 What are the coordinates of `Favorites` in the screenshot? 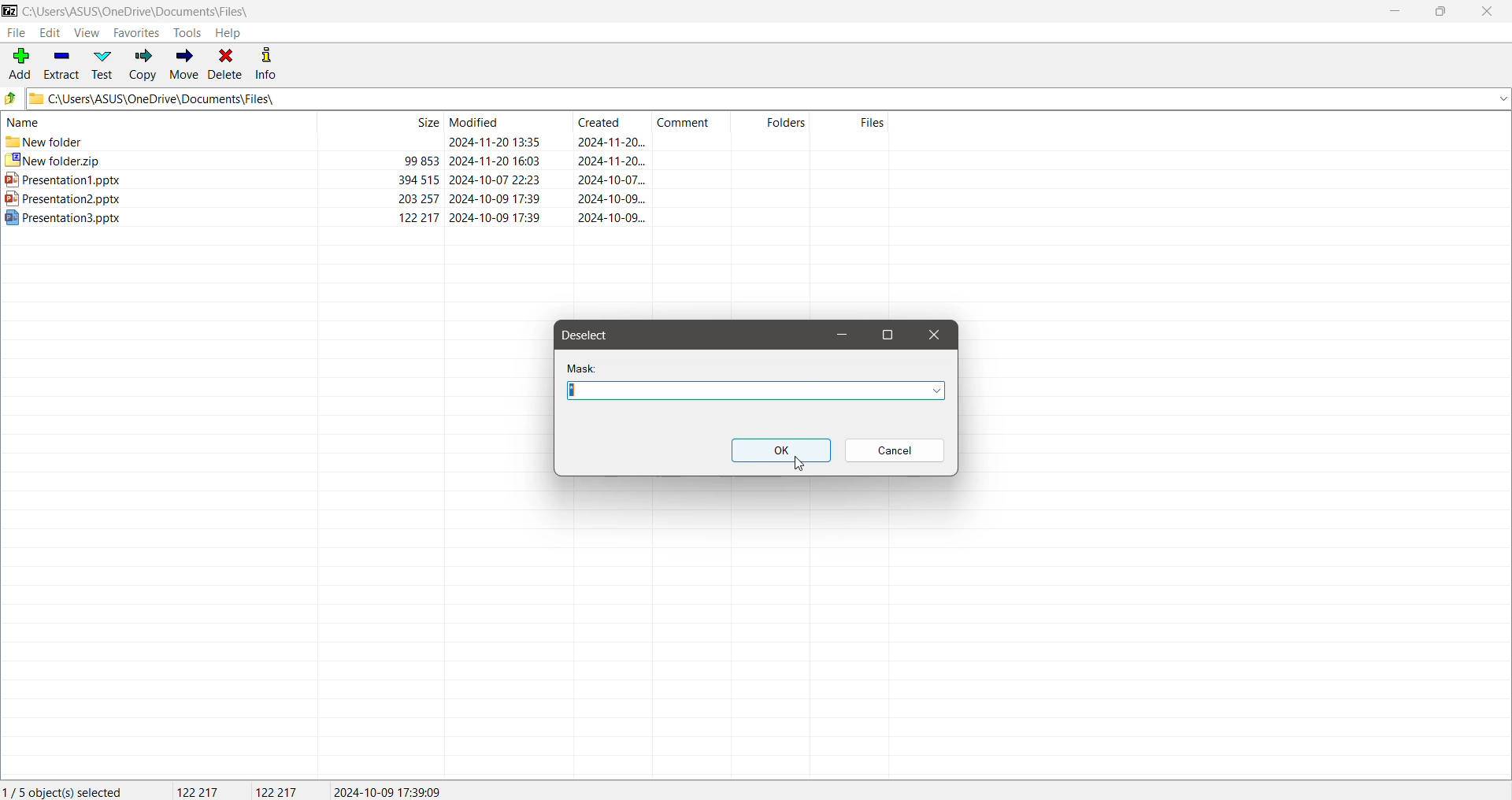 It's located at (135, 34).